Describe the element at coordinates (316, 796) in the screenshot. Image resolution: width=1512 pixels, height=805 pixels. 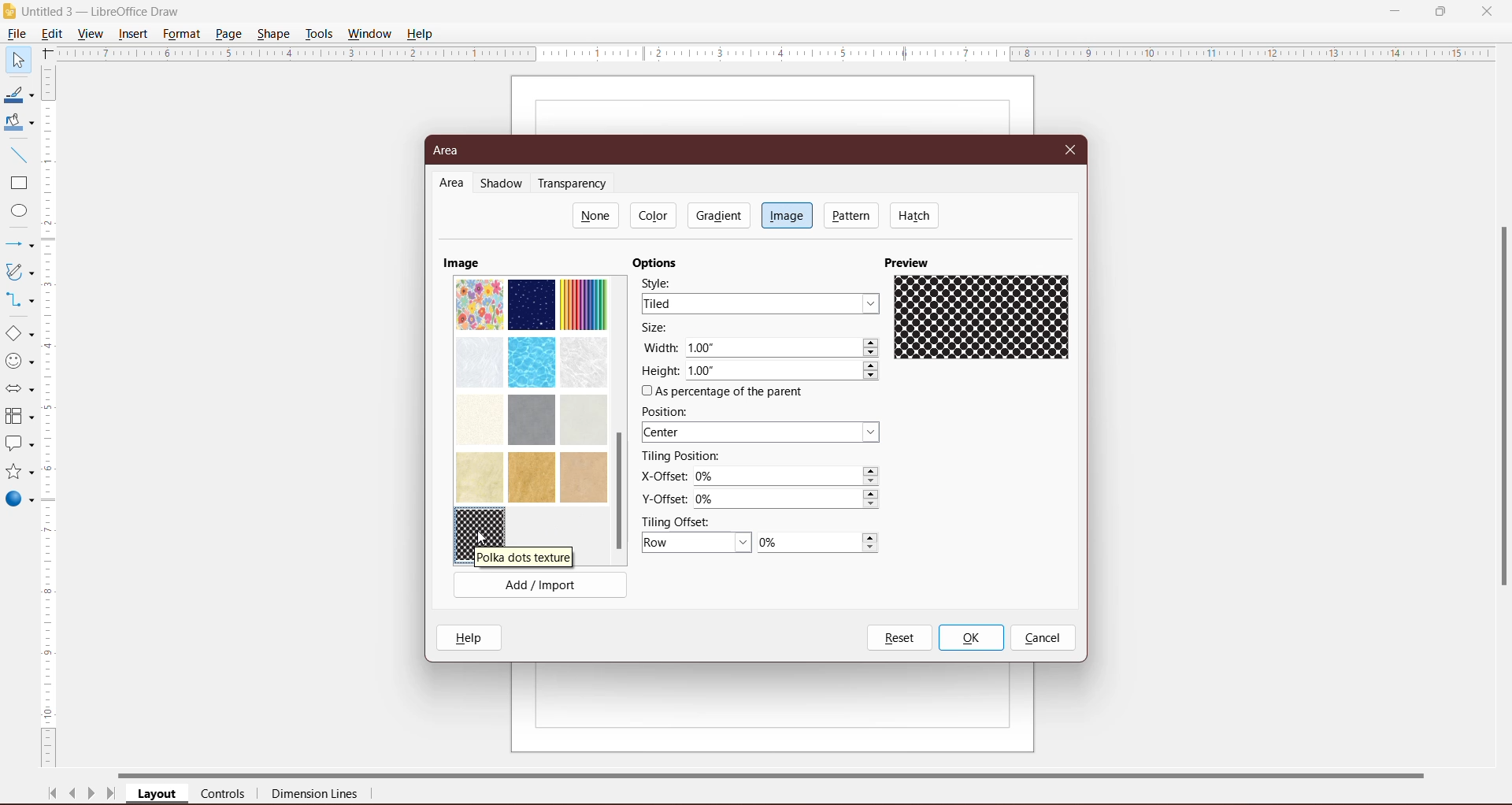
I see `Dimension Lines` at that location.